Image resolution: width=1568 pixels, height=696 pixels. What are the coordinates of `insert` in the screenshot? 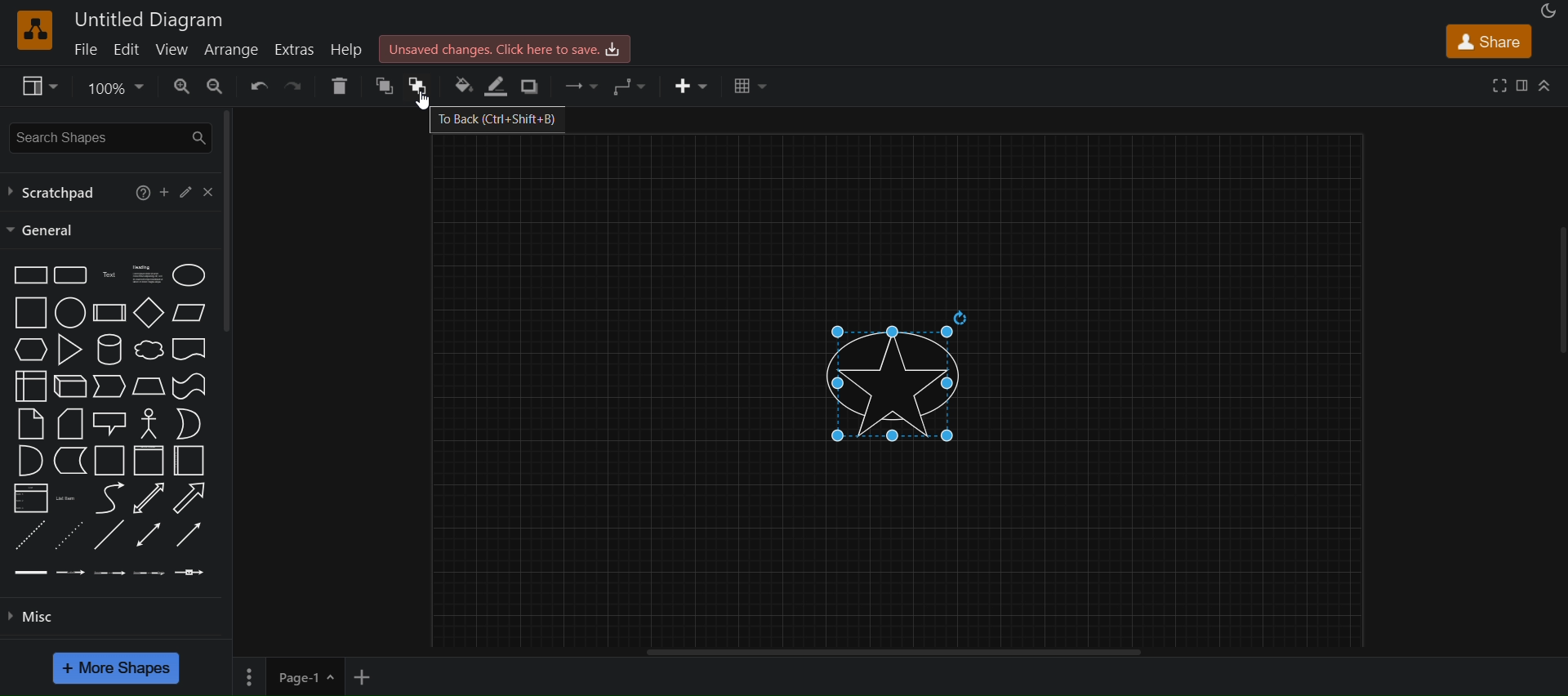 It's located at (693, 84).